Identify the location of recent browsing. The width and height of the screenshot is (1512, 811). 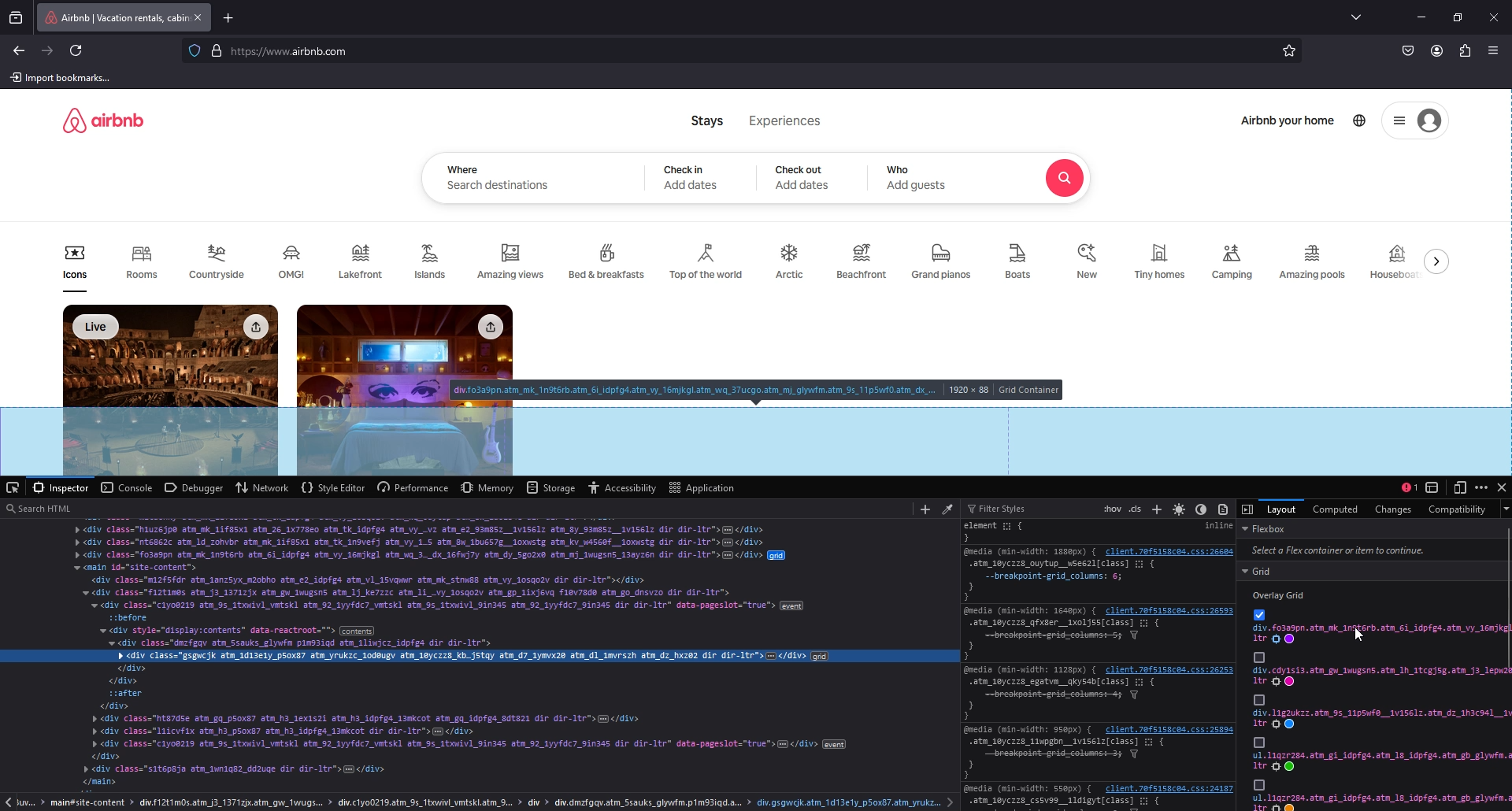
(19, 17).